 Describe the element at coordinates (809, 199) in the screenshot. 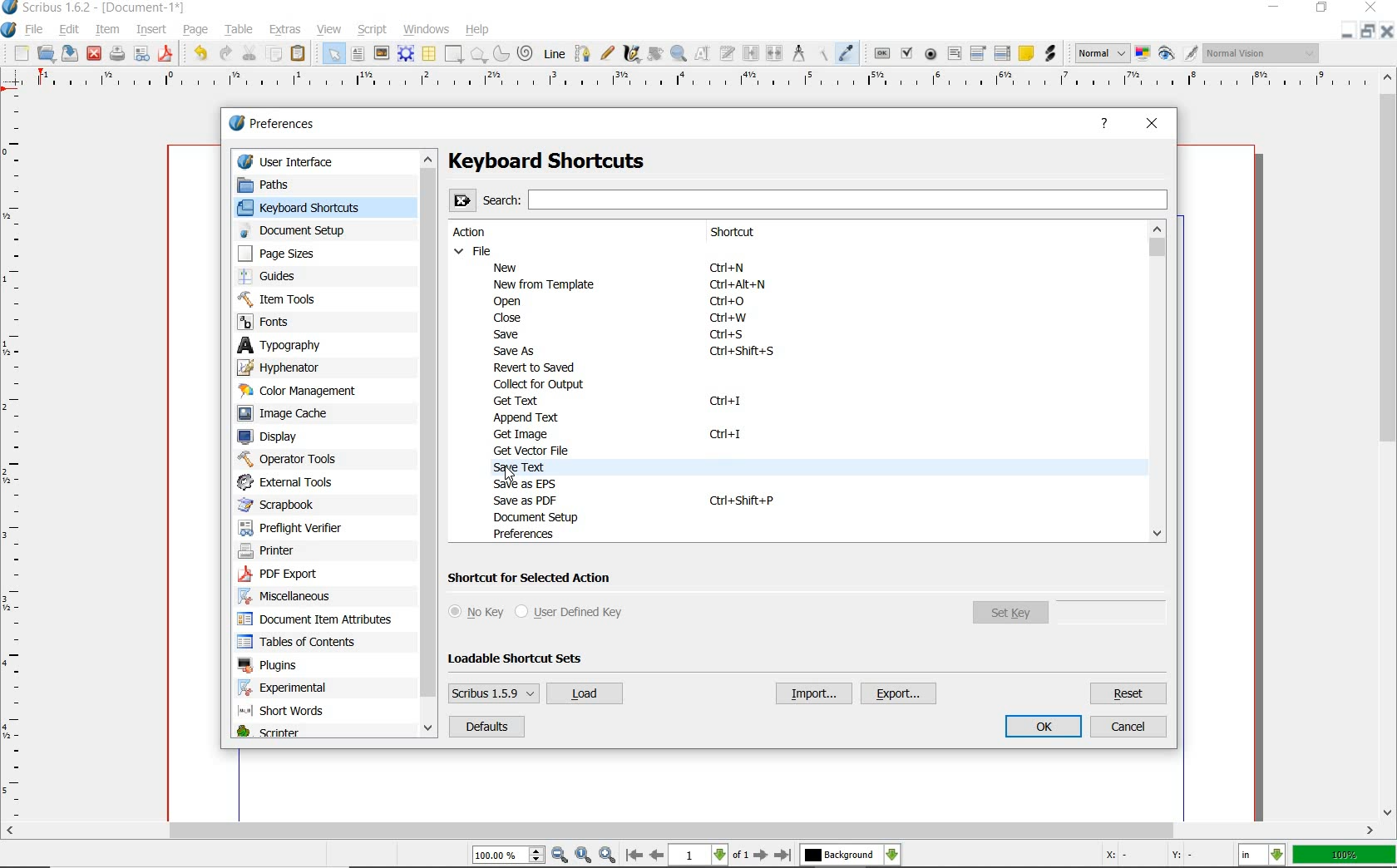

I see `Search` at that location.